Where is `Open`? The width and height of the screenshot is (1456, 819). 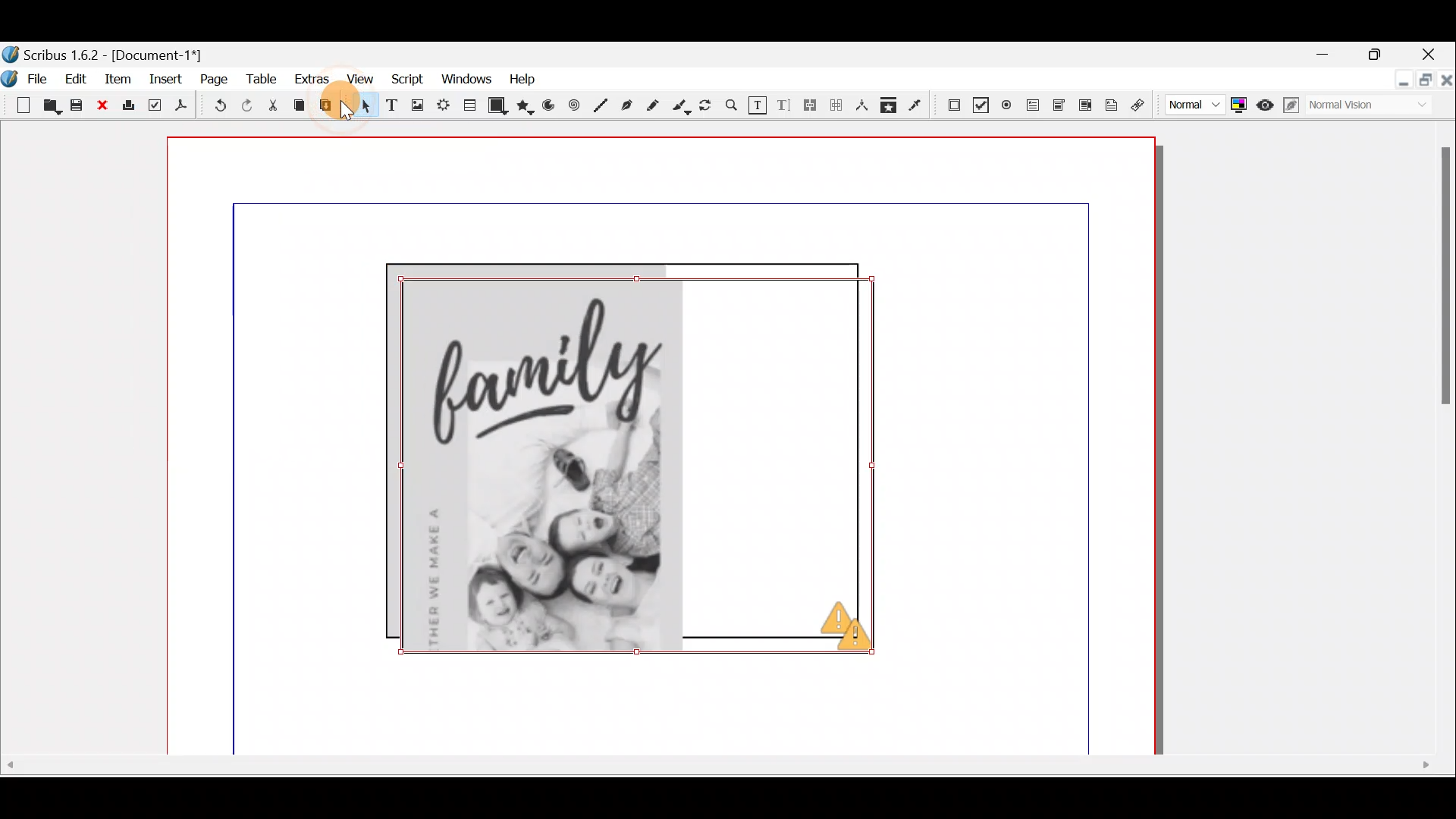 Open is located at coordinates (52, 108).